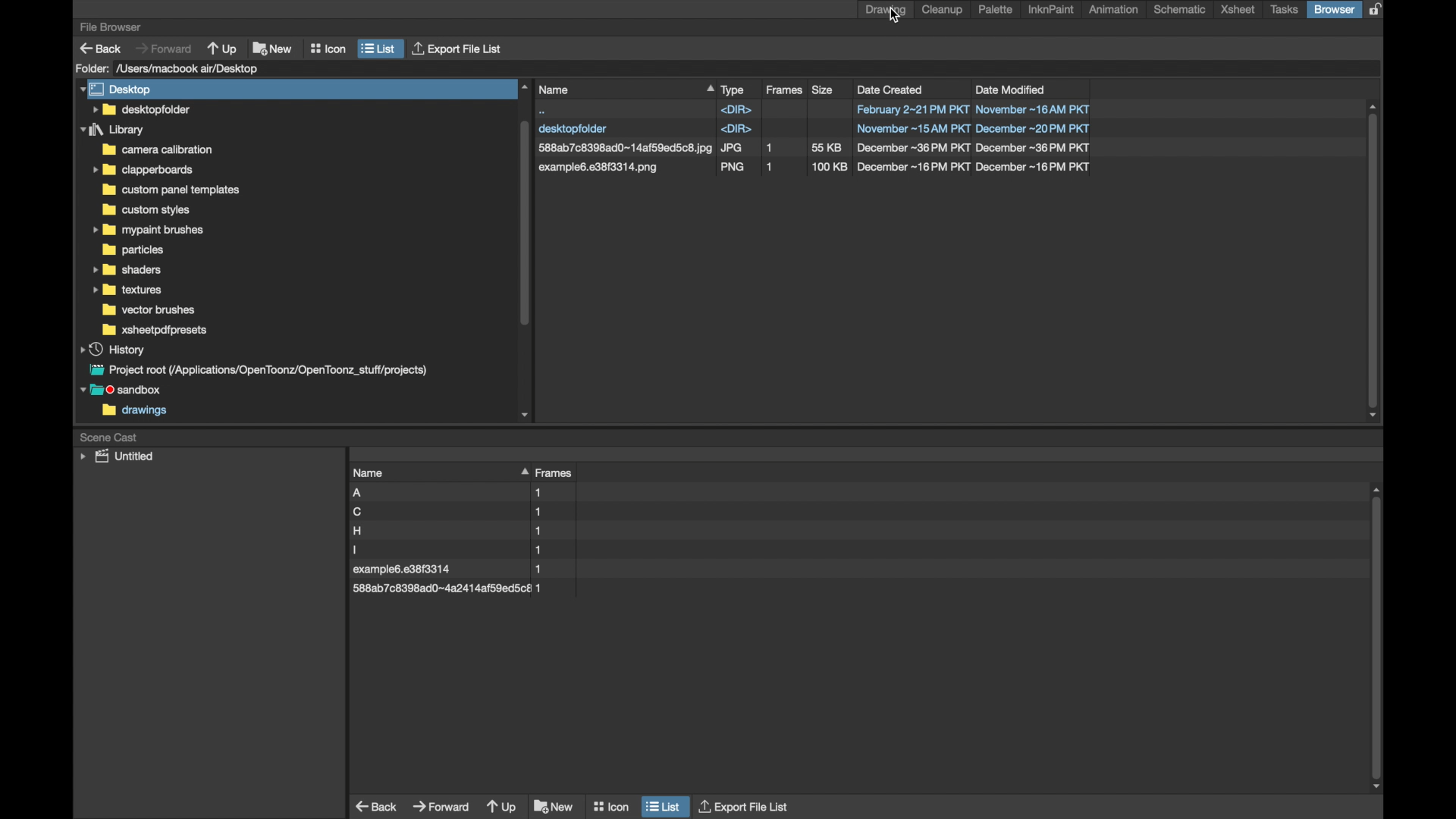  Describe the element at coordinates (124, 391) in the screenshot. I see `sandbox` at that location.